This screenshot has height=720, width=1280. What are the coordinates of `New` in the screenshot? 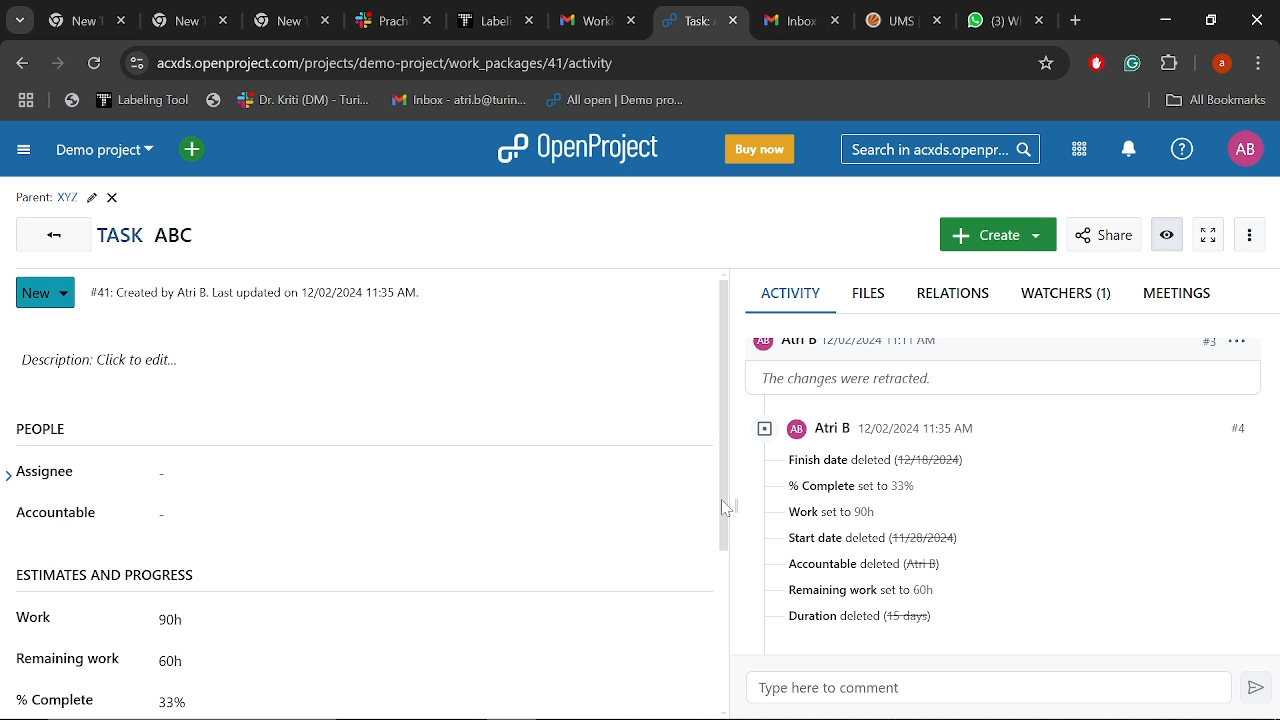 It's located at (48, 293).